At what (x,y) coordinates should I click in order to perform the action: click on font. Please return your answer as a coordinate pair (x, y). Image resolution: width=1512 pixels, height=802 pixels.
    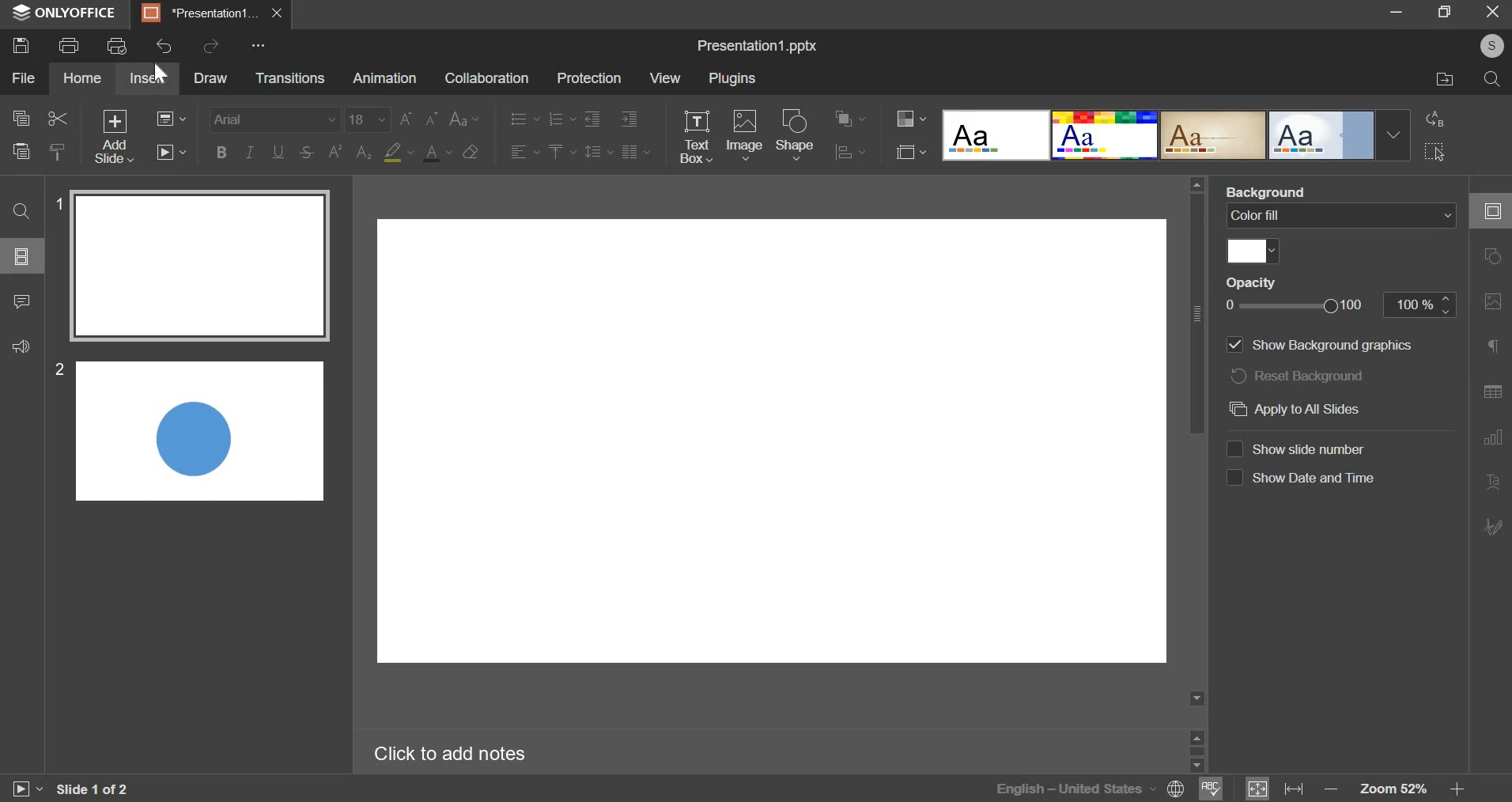
    Looking at the image, I should click on (274, 120).